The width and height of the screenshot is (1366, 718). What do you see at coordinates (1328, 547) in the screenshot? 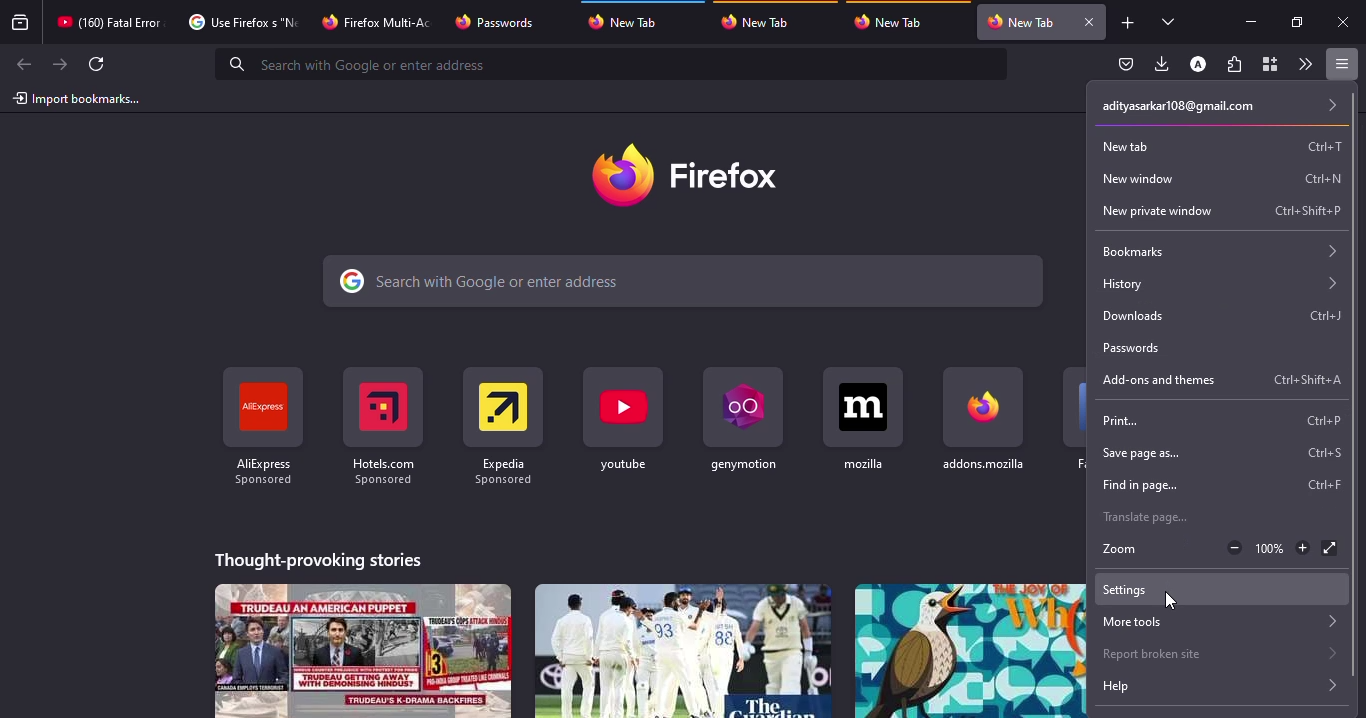
I see `full screen` at bounding box center [1328, 547].